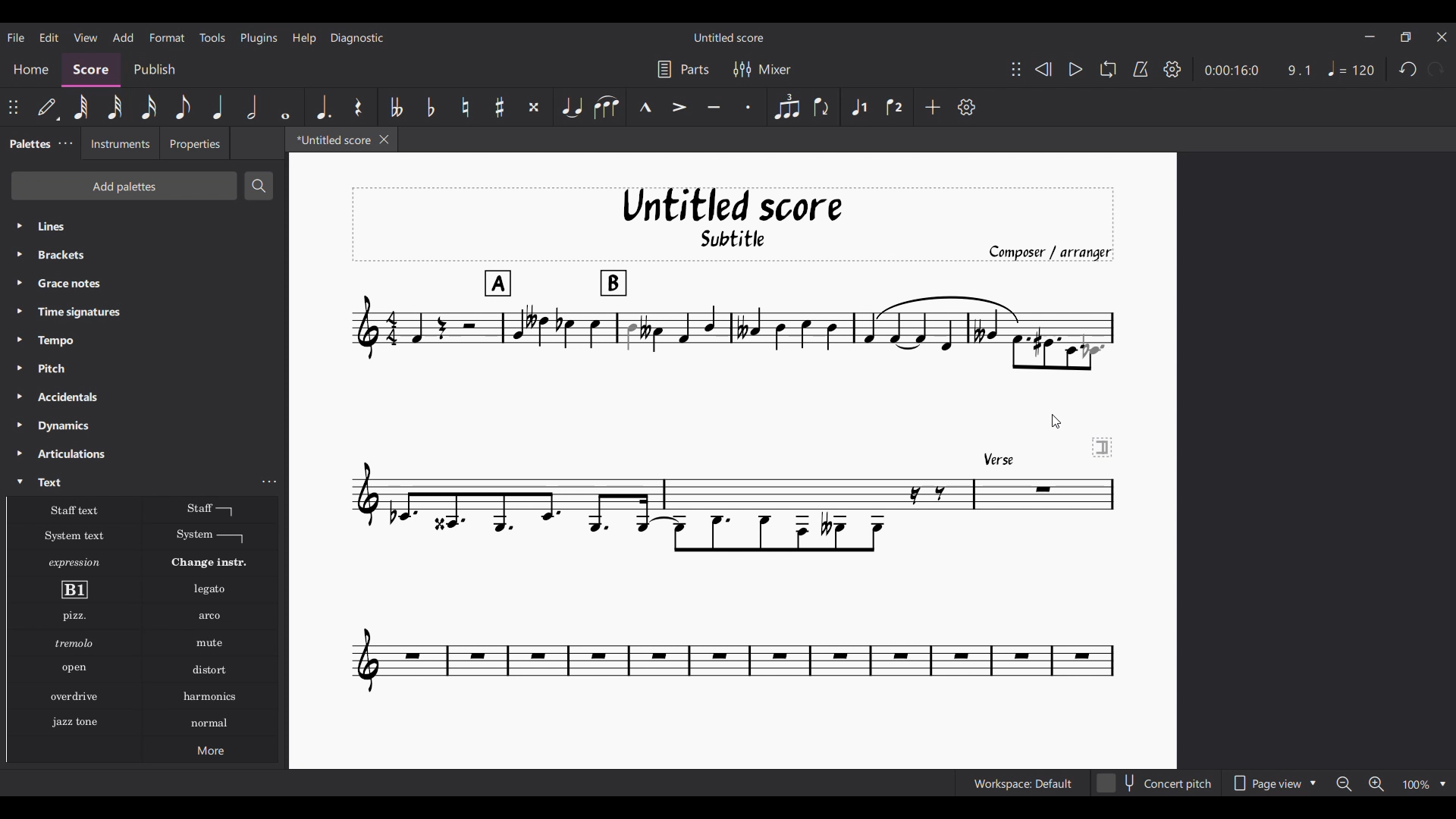 The image size is (1456, 819). Describe the element at coordinates (74, 642) in the screenshot. I see `Tremolo` at that location.